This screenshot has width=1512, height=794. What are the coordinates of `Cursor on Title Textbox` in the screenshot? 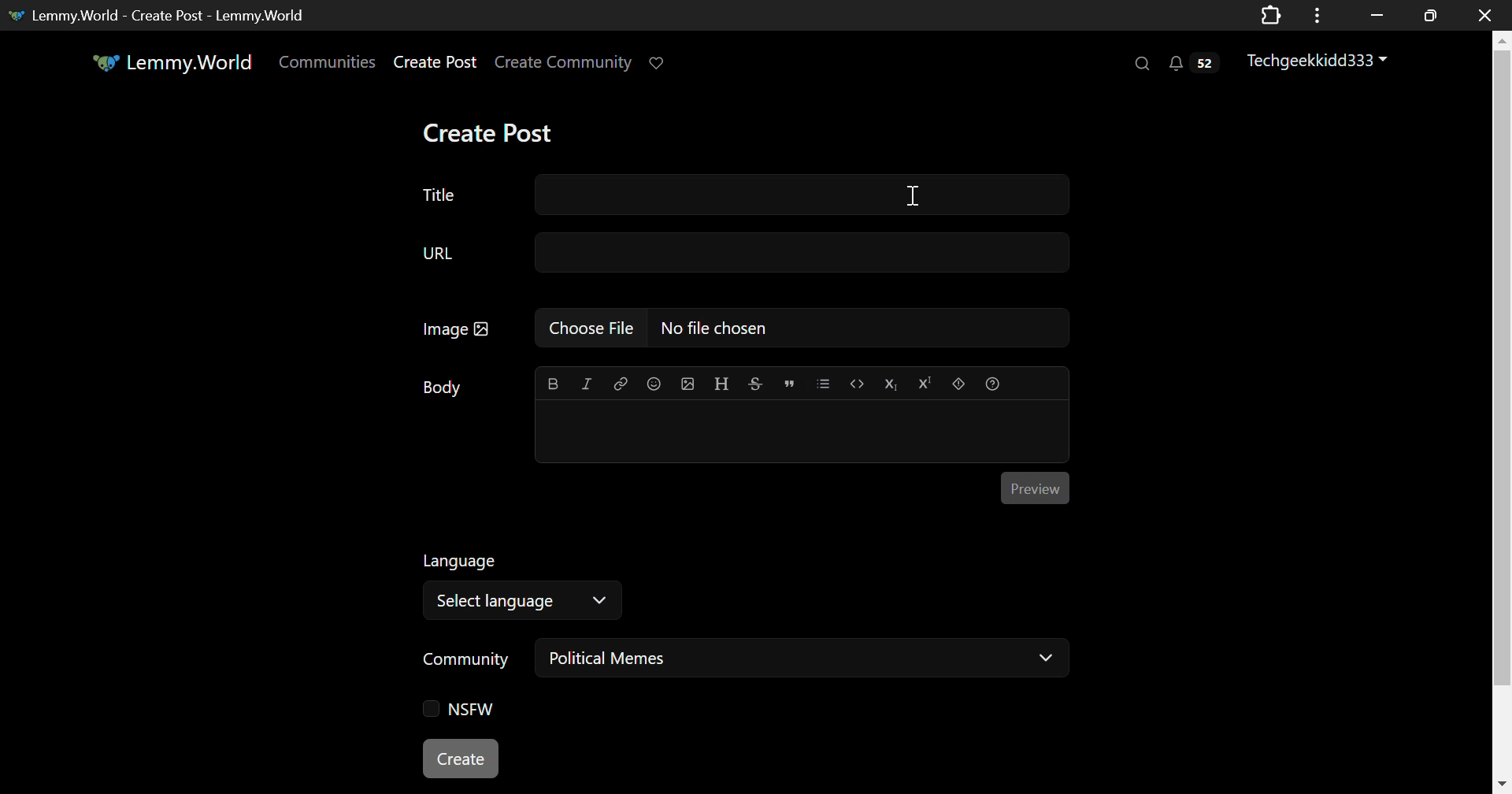 It's located at (910, 196).